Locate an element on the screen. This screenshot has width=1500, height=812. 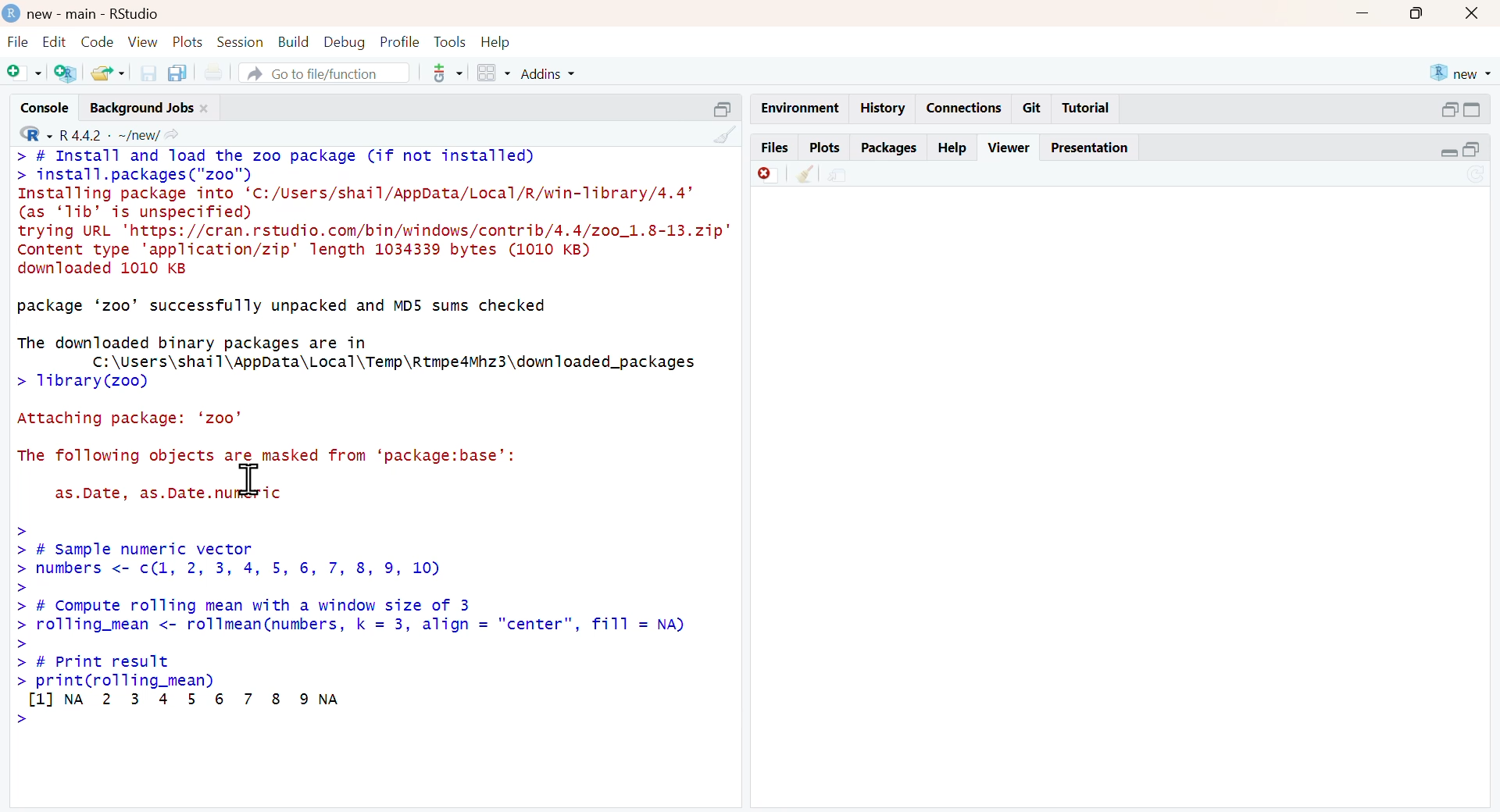
share file is located at coordinates (838, 175).